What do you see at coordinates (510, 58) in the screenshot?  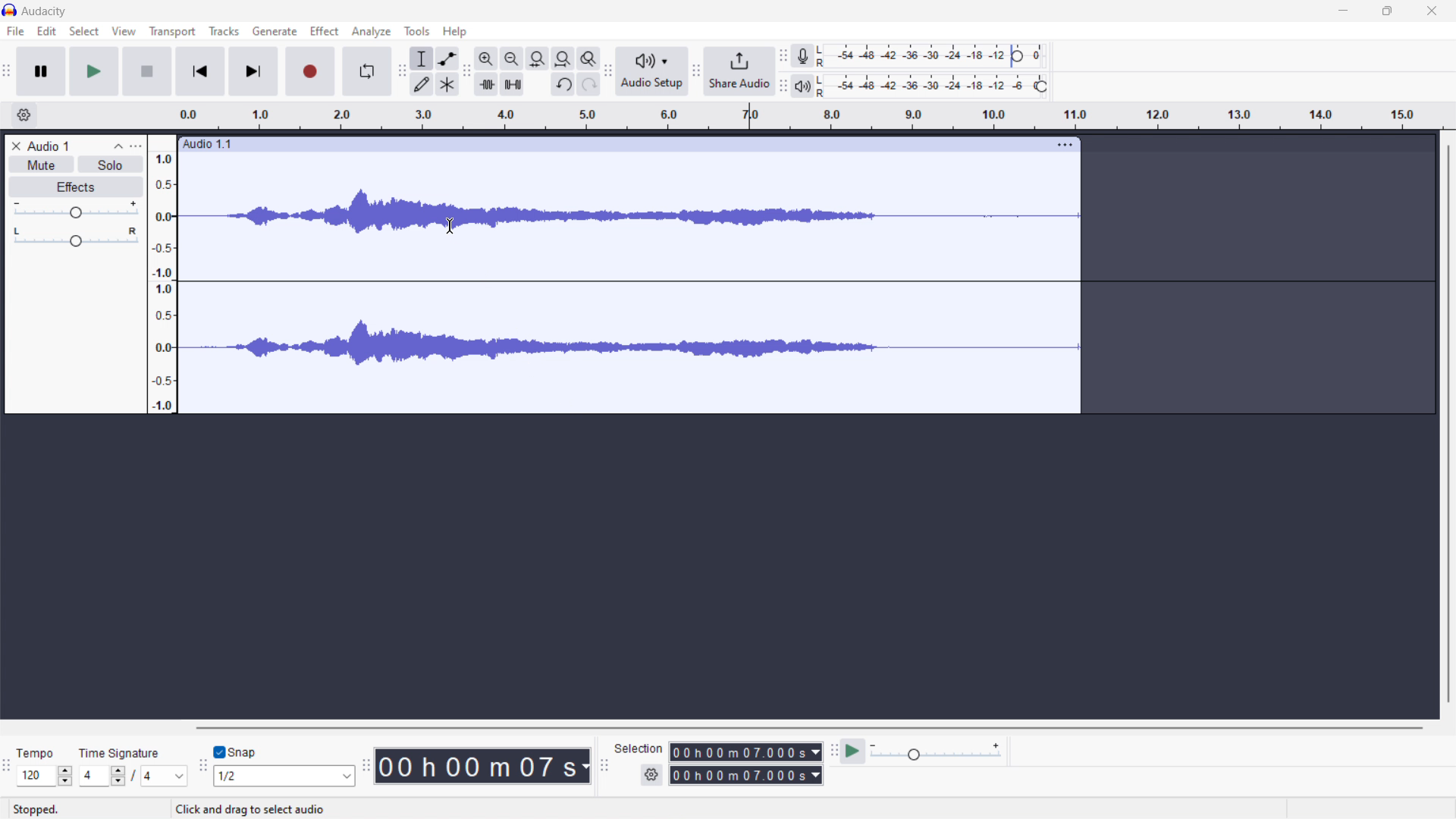 I see `zoom out` at bounding box center [510, 58].